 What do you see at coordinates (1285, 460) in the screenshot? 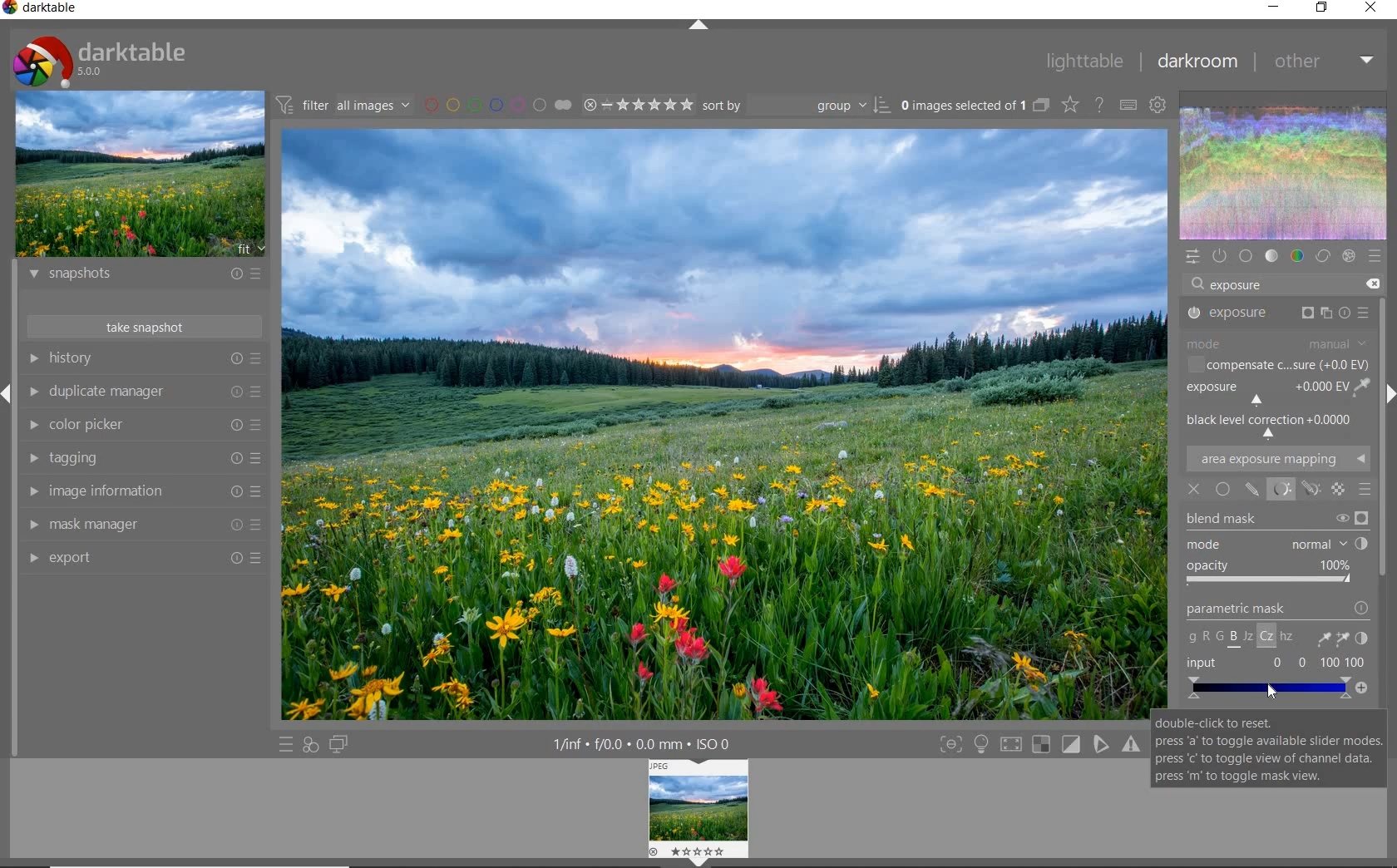
I see `AREA EXPOSURE MAPPING` at bounding box center [1285, 460].